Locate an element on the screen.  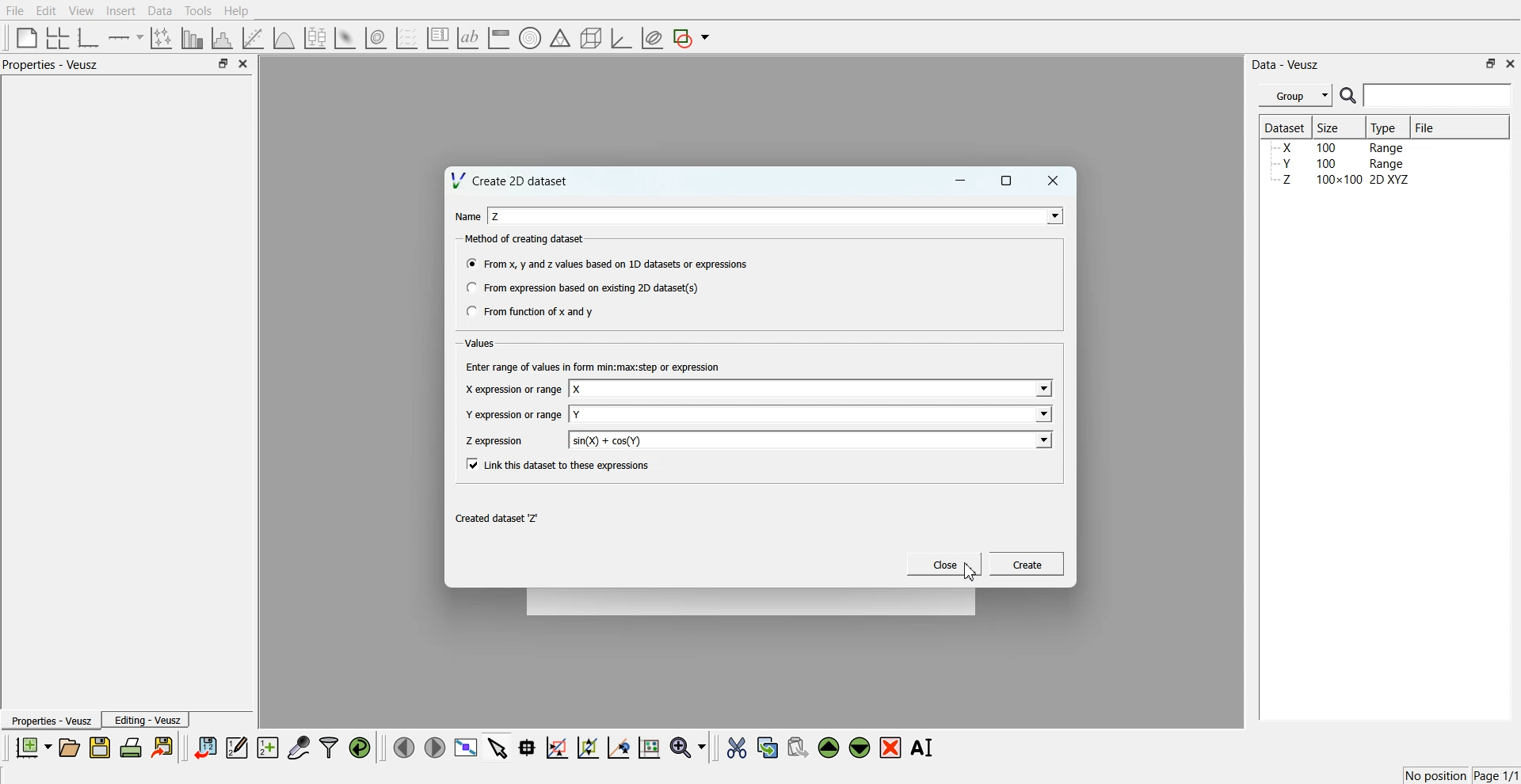
X is located at coordinates (578, 390).